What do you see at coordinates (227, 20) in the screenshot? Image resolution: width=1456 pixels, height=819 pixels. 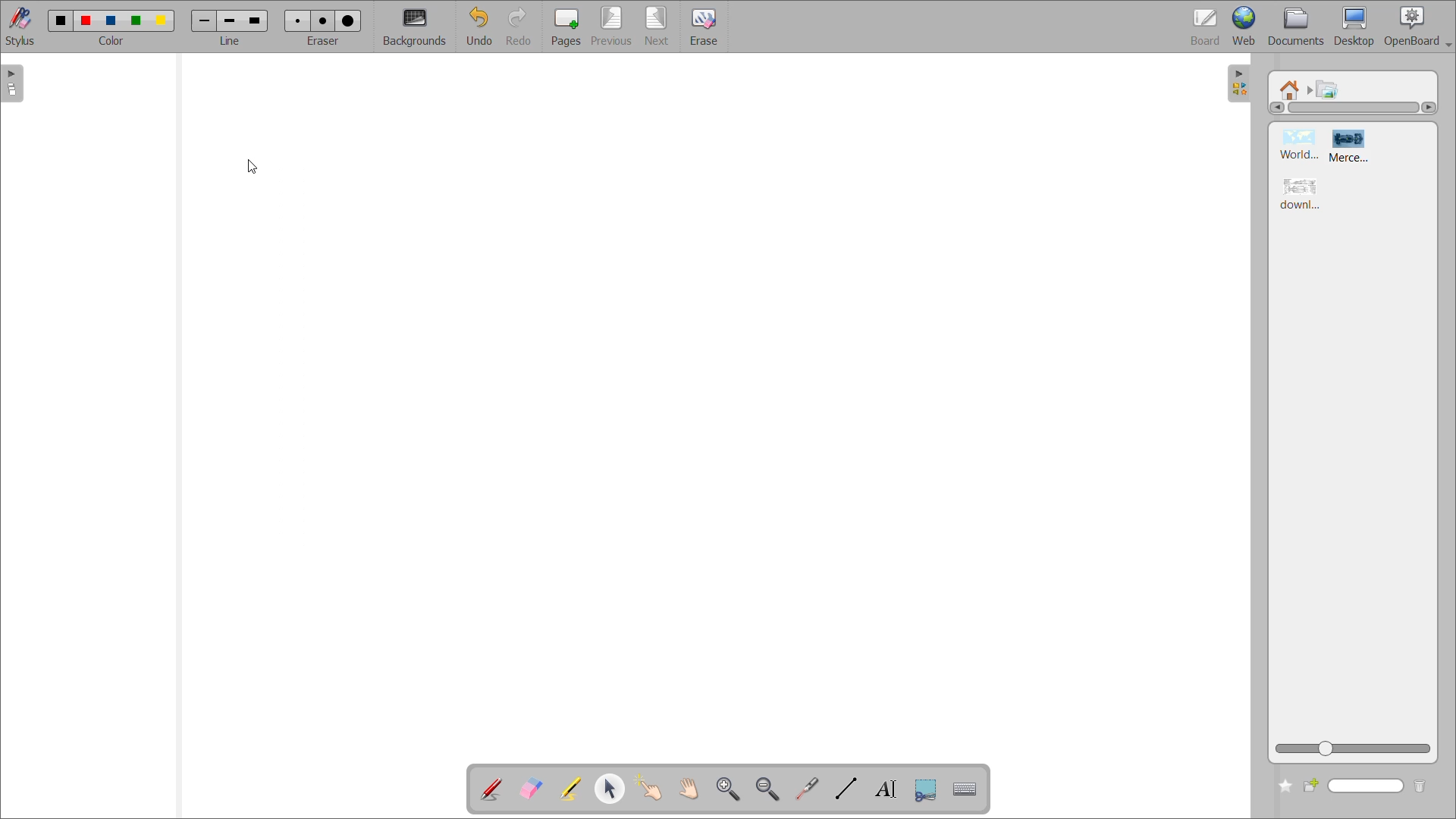 I see `line 2` at bounding box center [227, 20].